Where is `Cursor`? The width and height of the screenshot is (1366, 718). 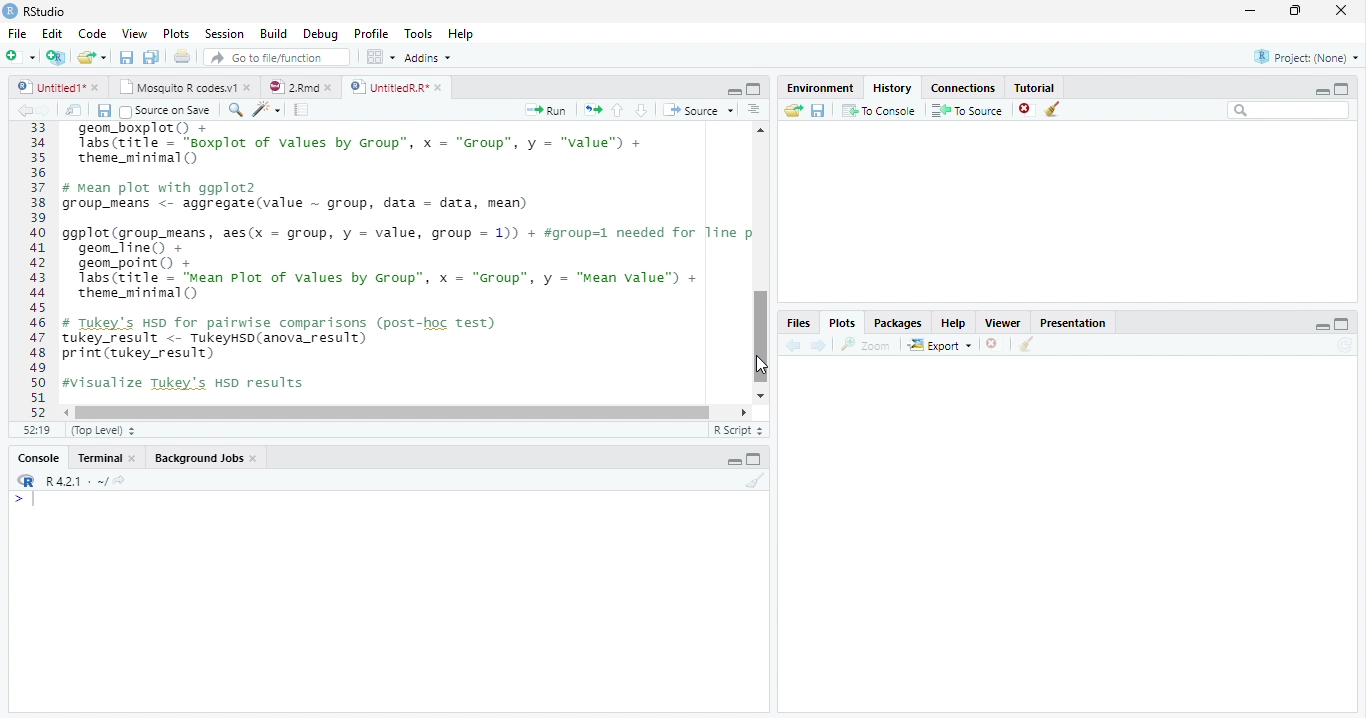
Cursor is located at coordinates (762, 365).